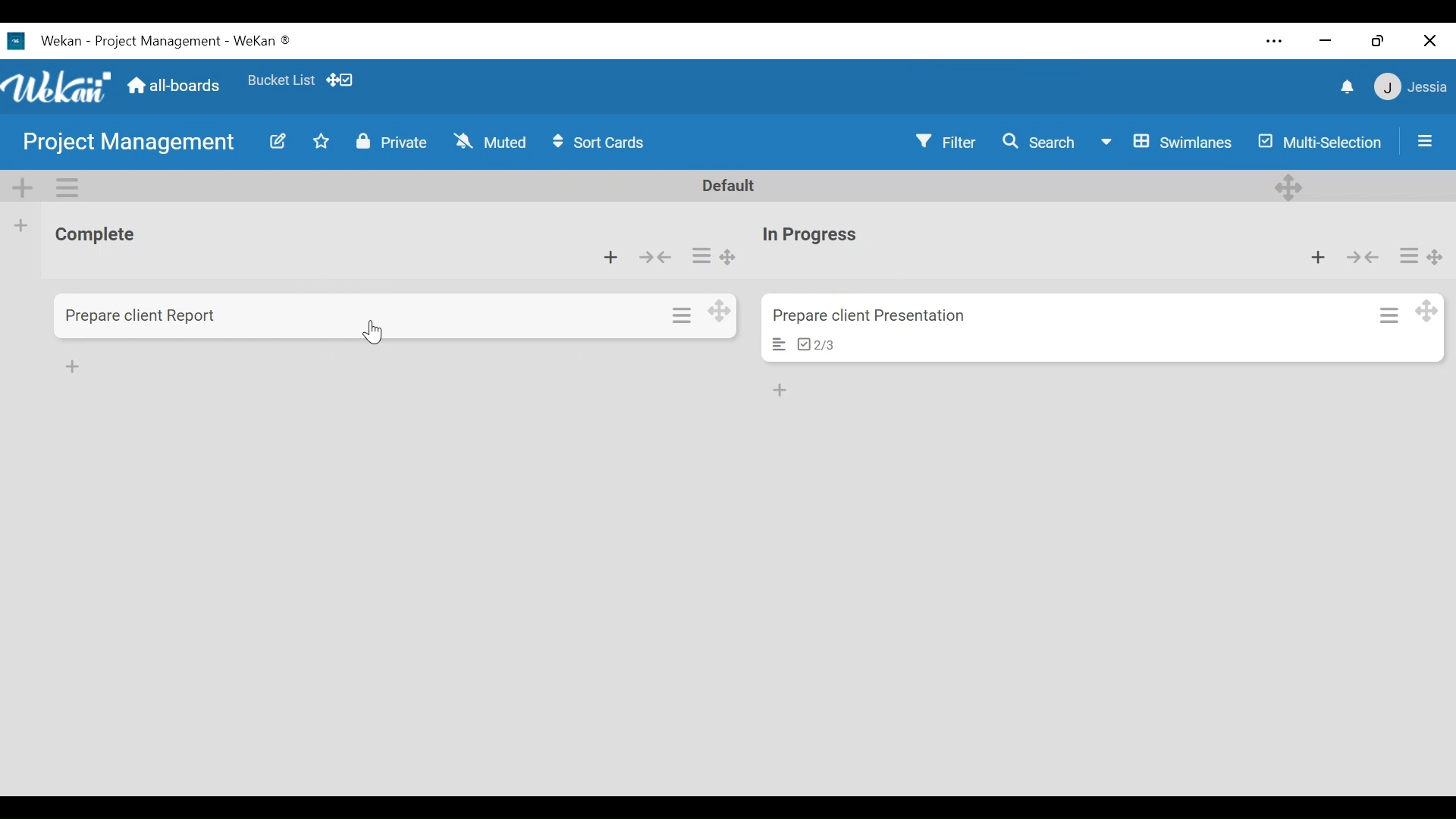 The height and width of the screenshot is (819, 1456). Describe the element at coordinates (808, 235) in the screenshot. I see `List Title` at that location.